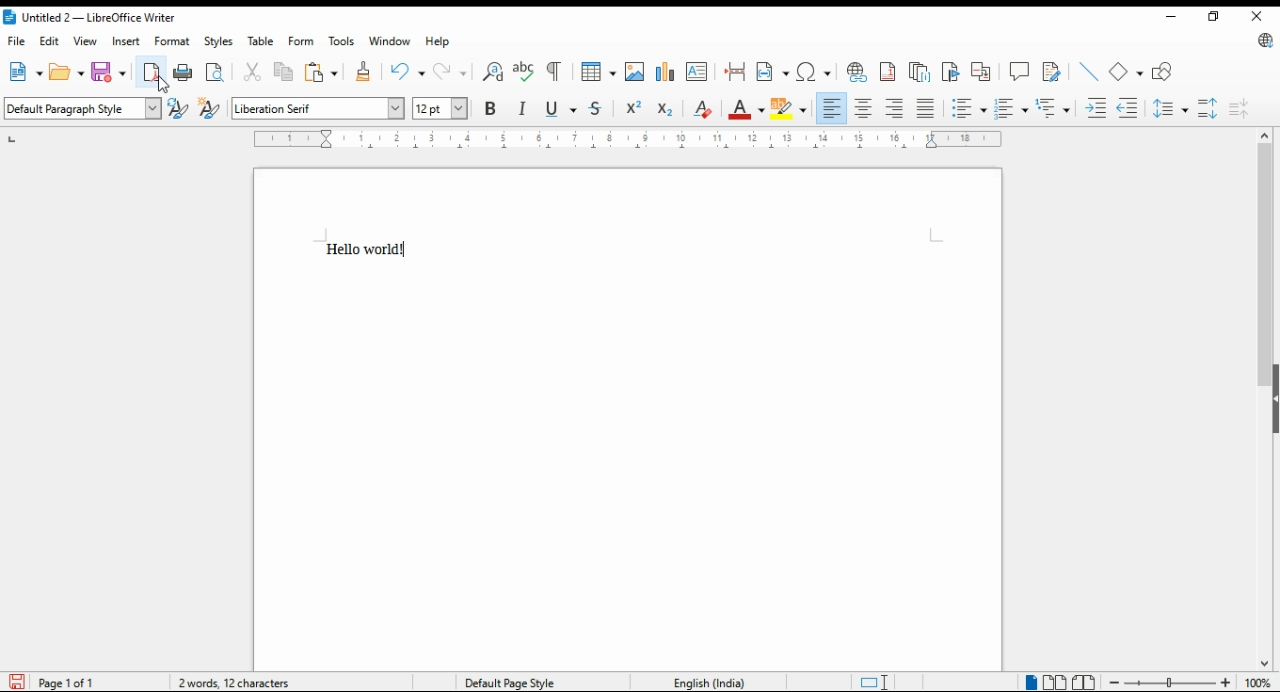 The image size is (1280, 692). Describe the element at coordinates (1052, 107) in the screenshot. I see `select outline format` at that location.